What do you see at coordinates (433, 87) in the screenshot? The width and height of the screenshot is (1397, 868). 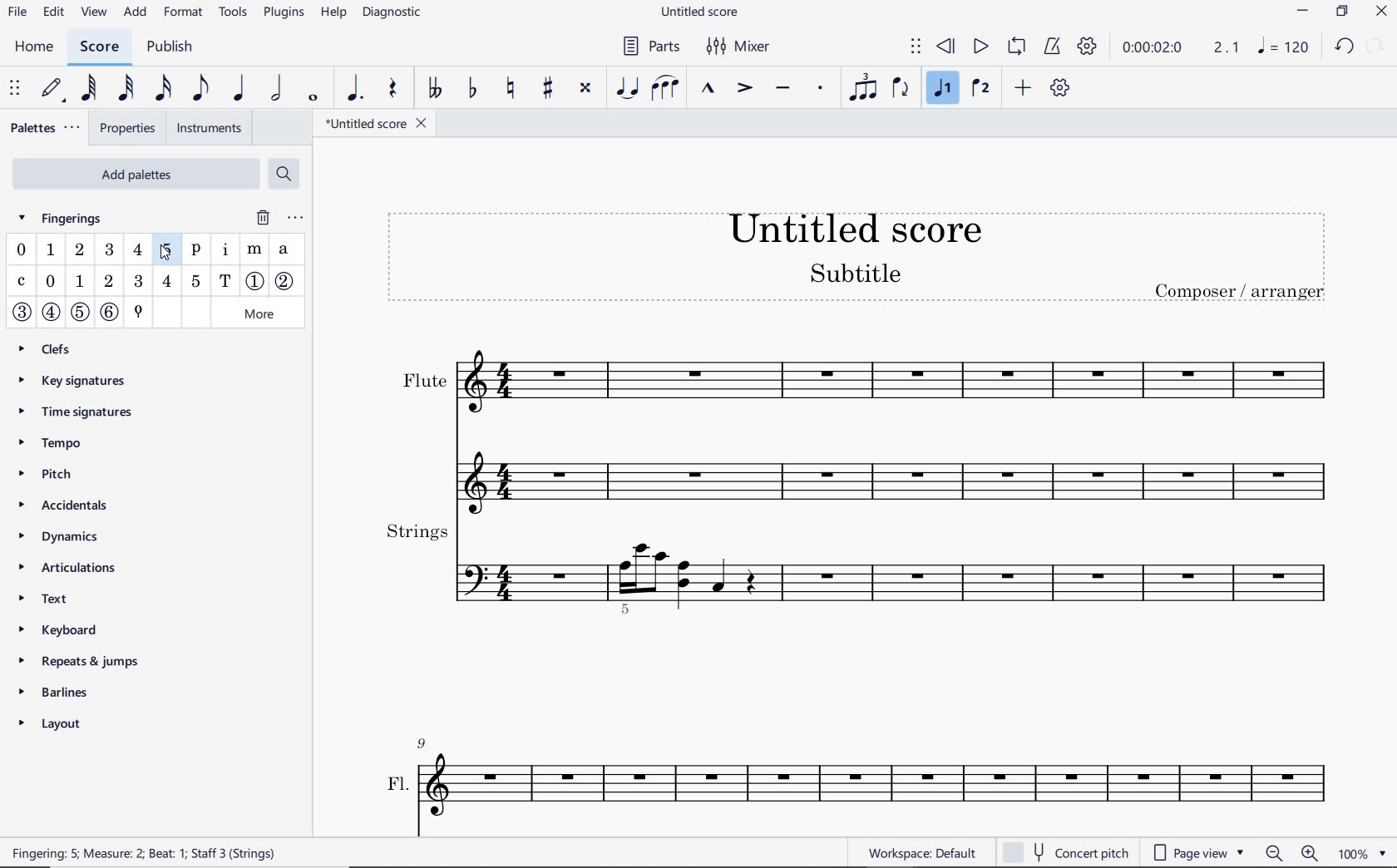 I see `toggle double-flat` at bounding box center [433, 87].